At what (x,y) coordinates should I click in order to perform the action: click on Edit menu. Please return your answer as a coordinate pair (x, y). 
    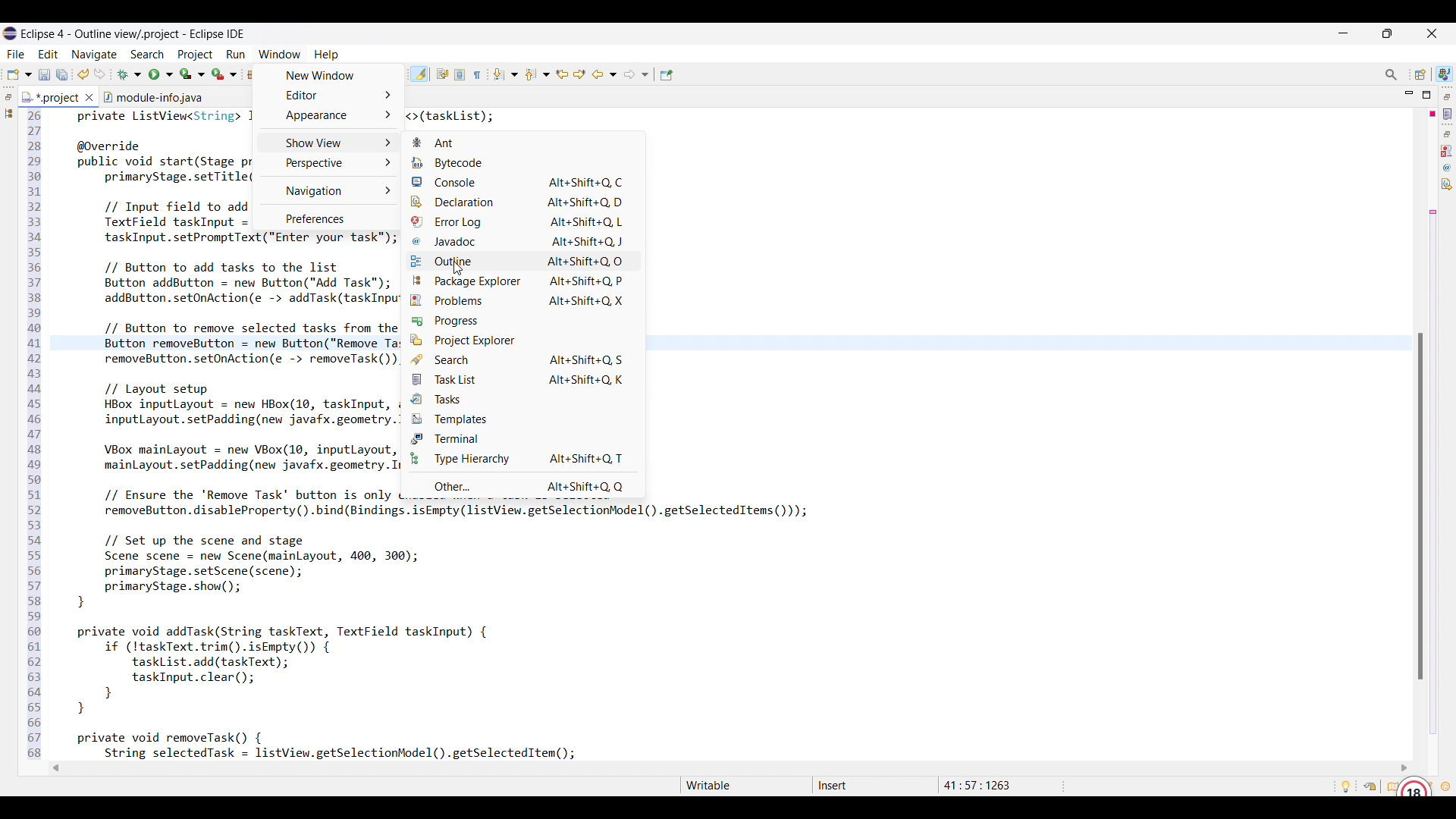
    Looking at the image, I should click on (49, 55).